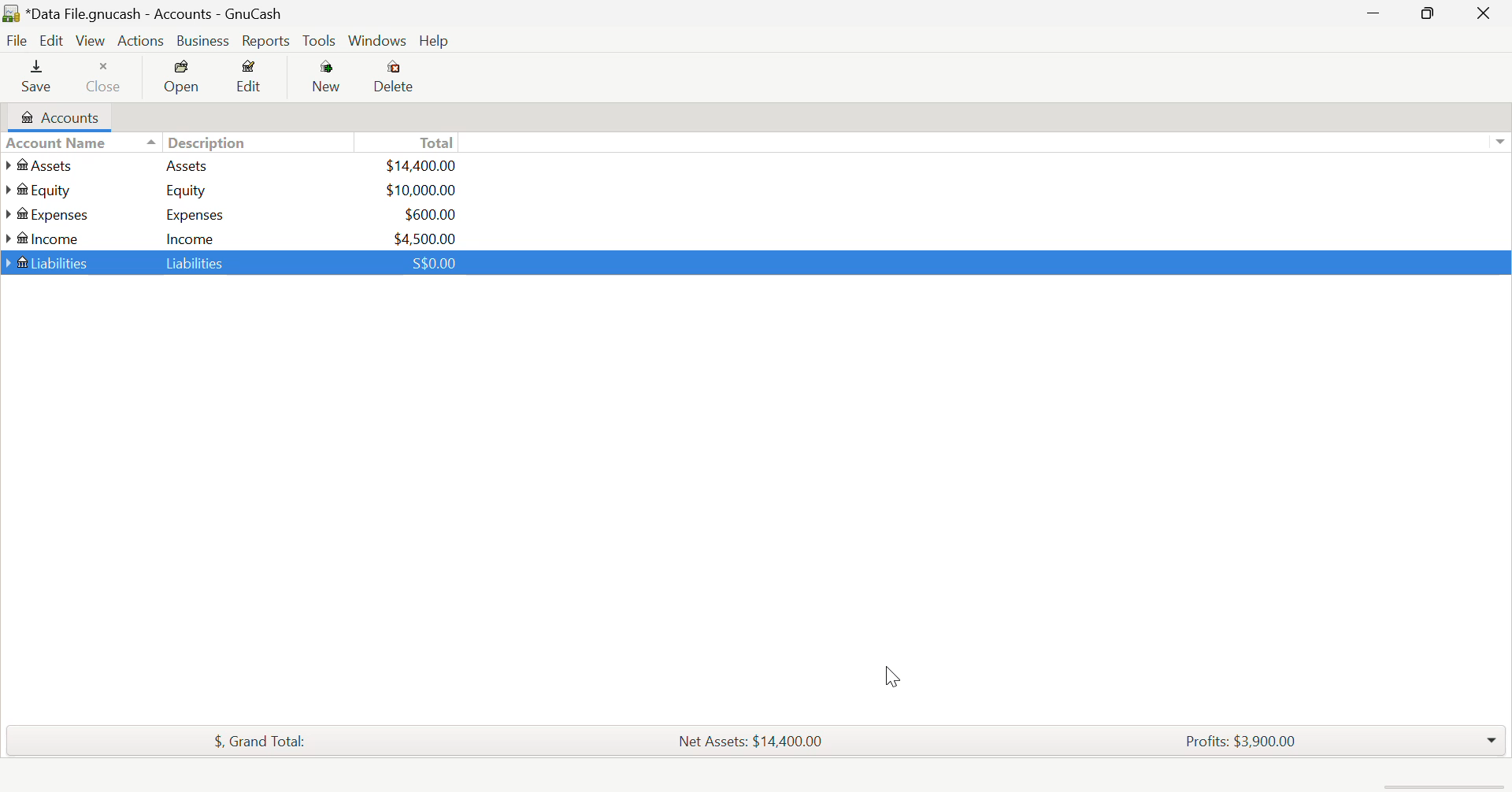 The height and width of the screenshot is (792, 1512). I want to click on USd, so click(420, 164).